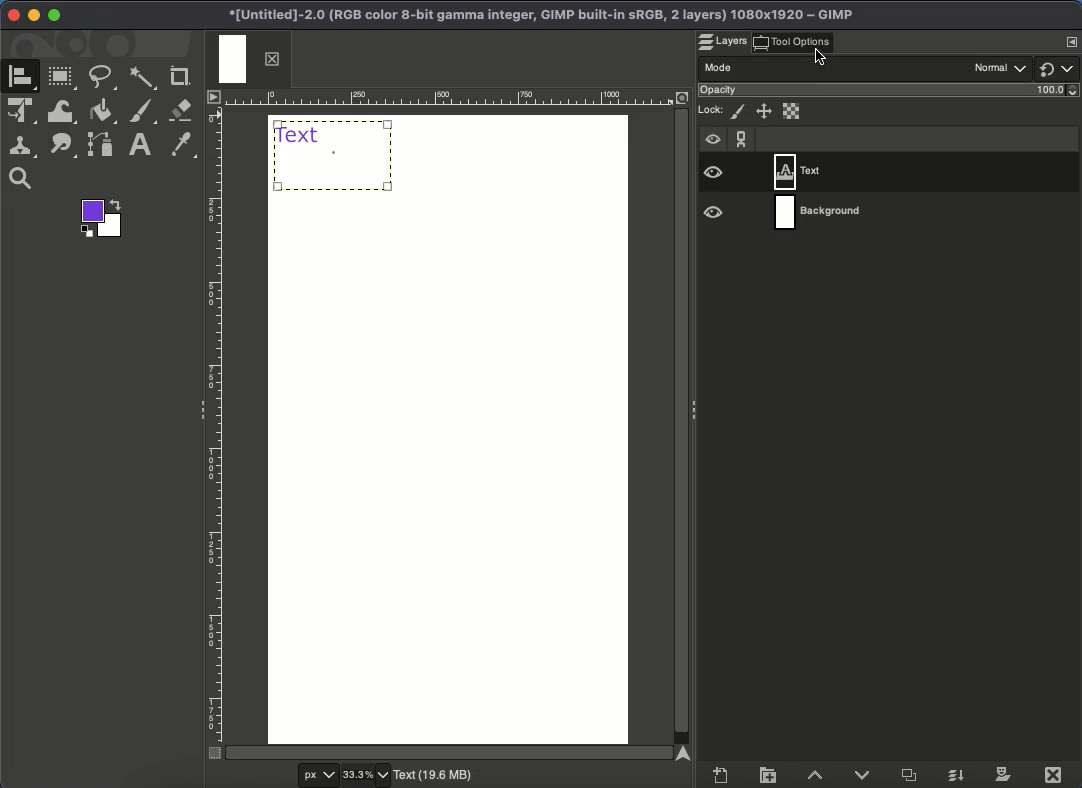  What do you see at coordinates (1056, 773) in the screenshot?
I see `Close` at bounding box center [1056, 773].